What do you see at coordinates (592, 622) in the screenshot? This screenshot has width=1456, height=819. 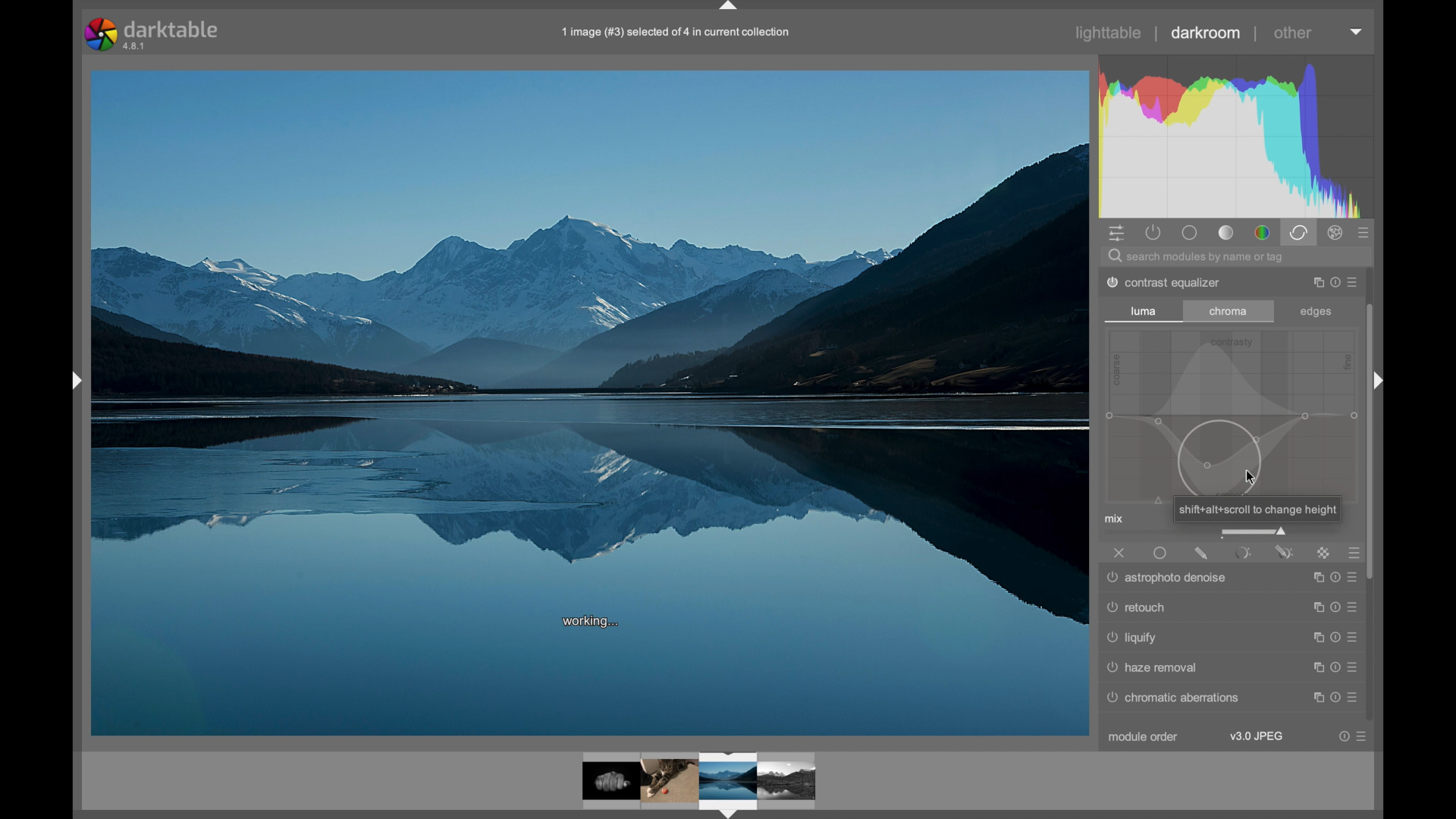 I see `working` at bounding box center [592, 622].